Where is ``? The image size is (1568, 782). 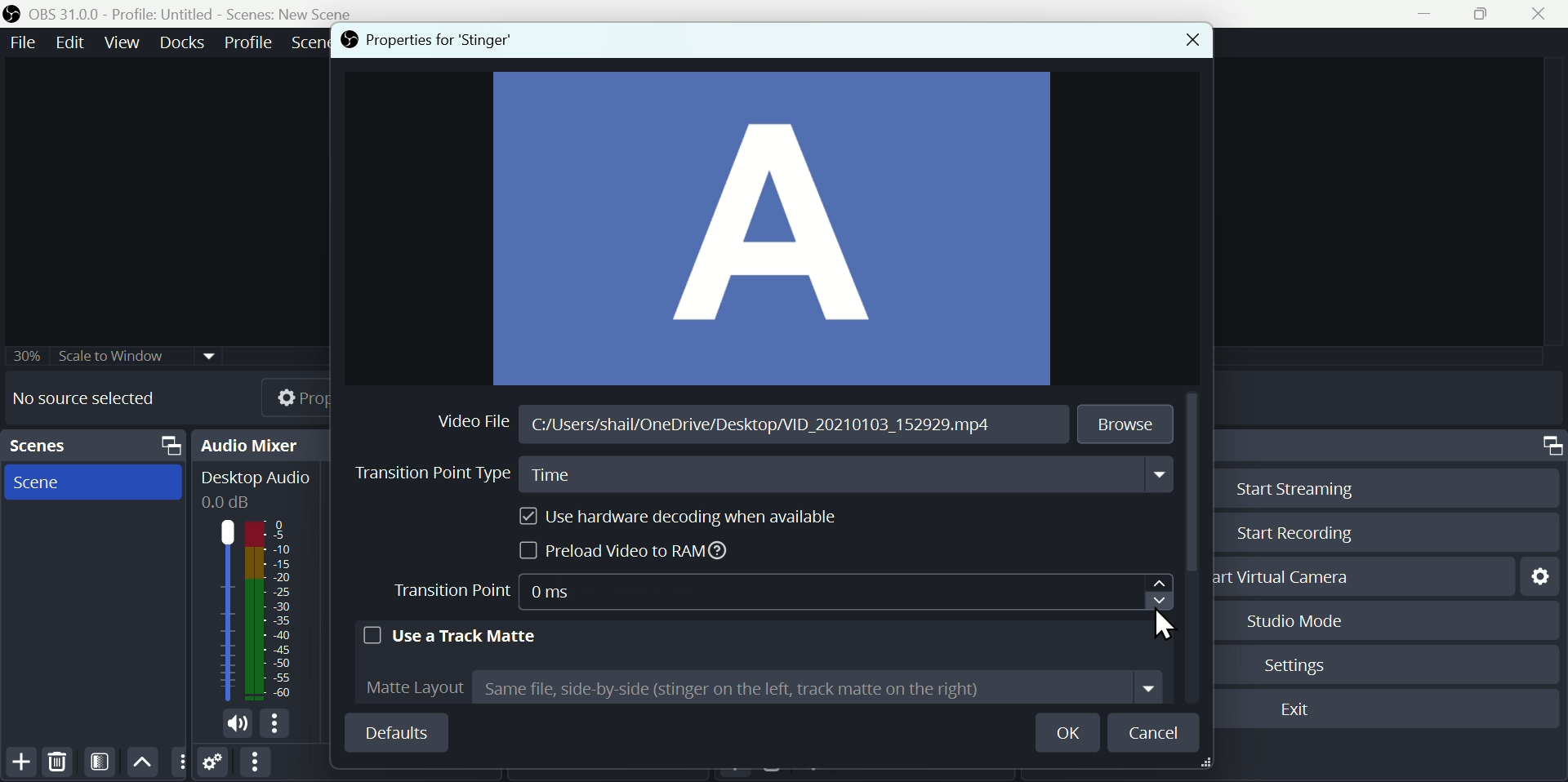  is located at coordinates (185, 42).